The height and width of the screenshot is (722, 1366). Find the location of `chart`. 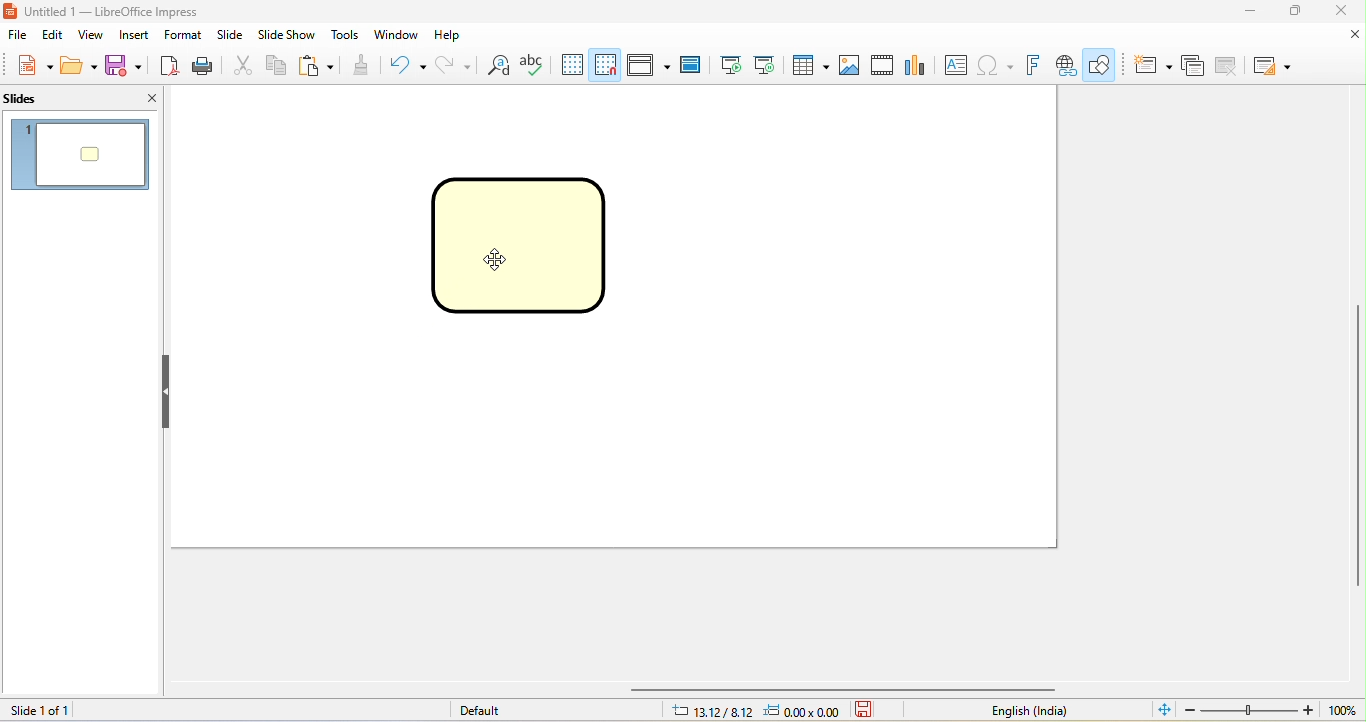

chart is located at coordinates (923, 65).